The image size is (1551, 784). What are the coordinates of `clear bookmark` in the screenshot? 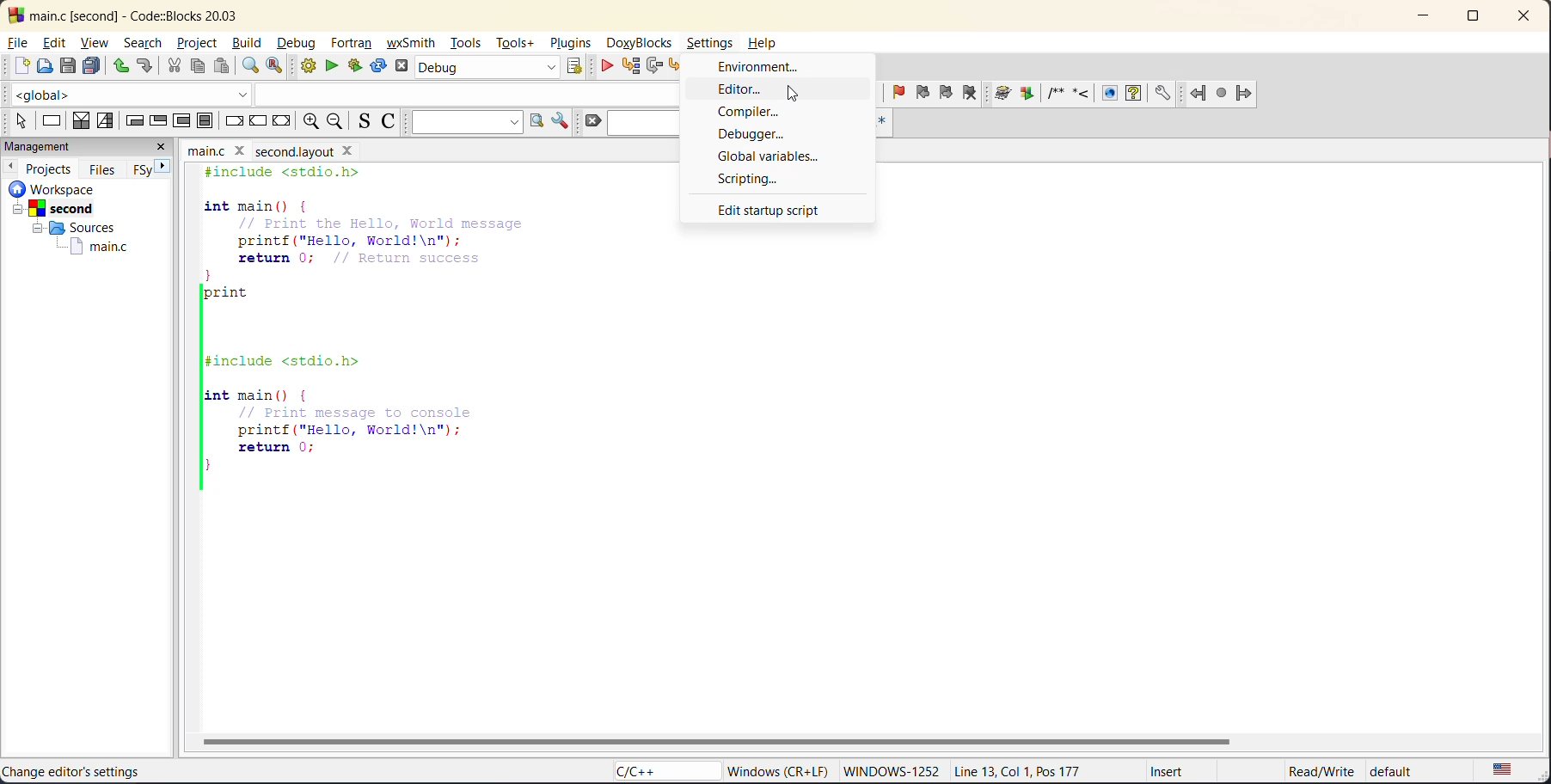 It's located at (977, 95).